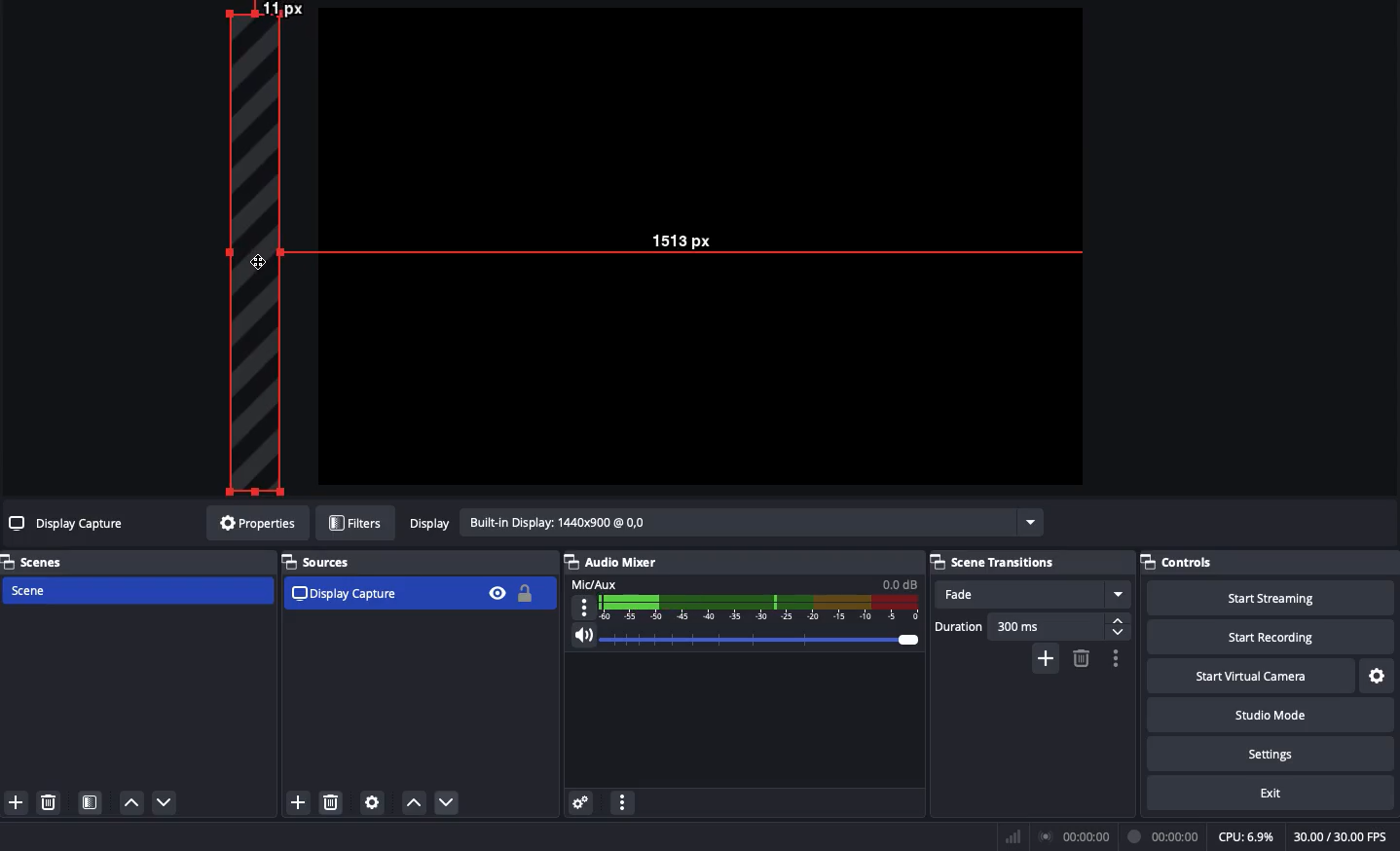 The width and height of the screenshot is (1400, 851). Describe the element at coordinates (69, 526) in the screenshot. I see `Display capture` at that location.